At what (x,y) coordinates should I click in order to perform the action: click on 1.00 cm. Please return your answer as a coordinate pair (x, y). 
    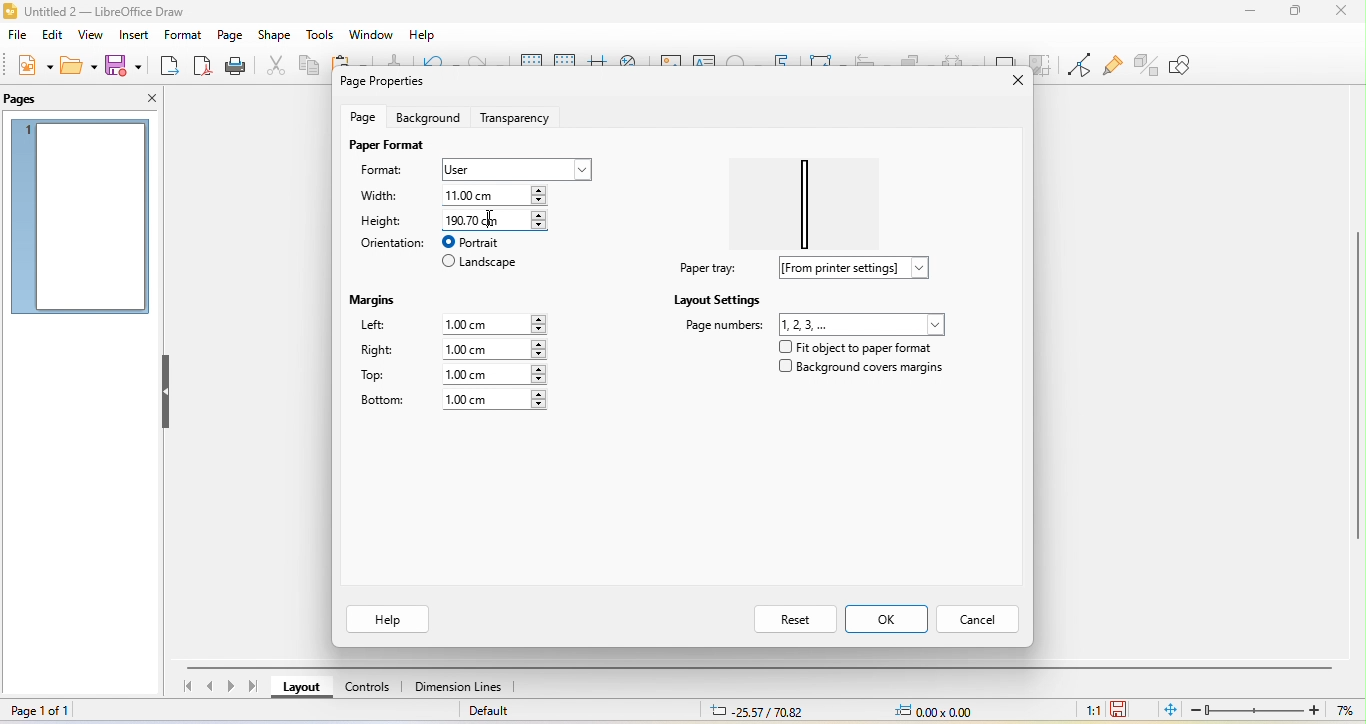
    Looking at the image, I should click on (494, 374).